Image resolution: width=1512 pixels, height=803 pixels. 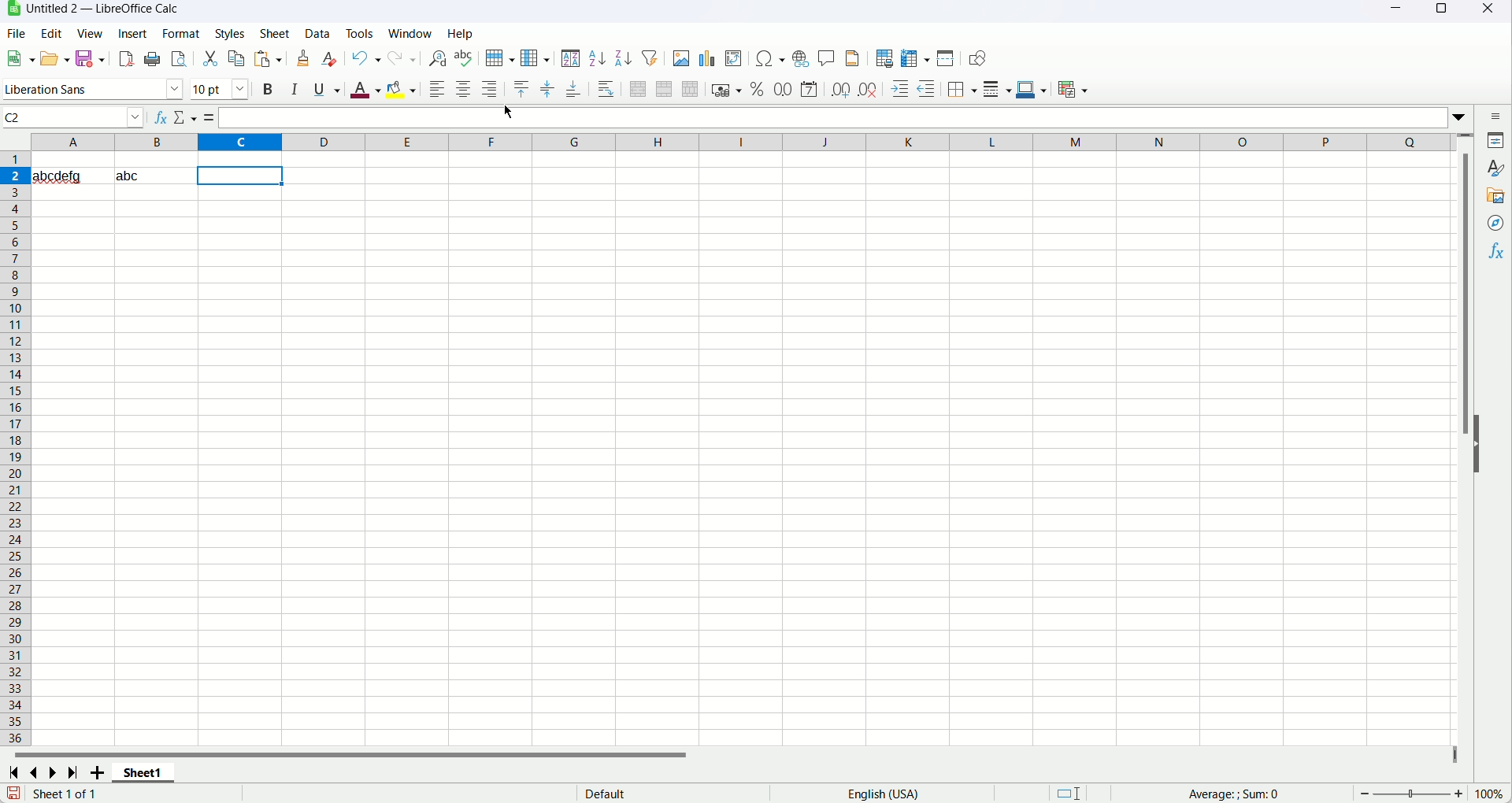 I want to click on window, so click(x=409, y=34).